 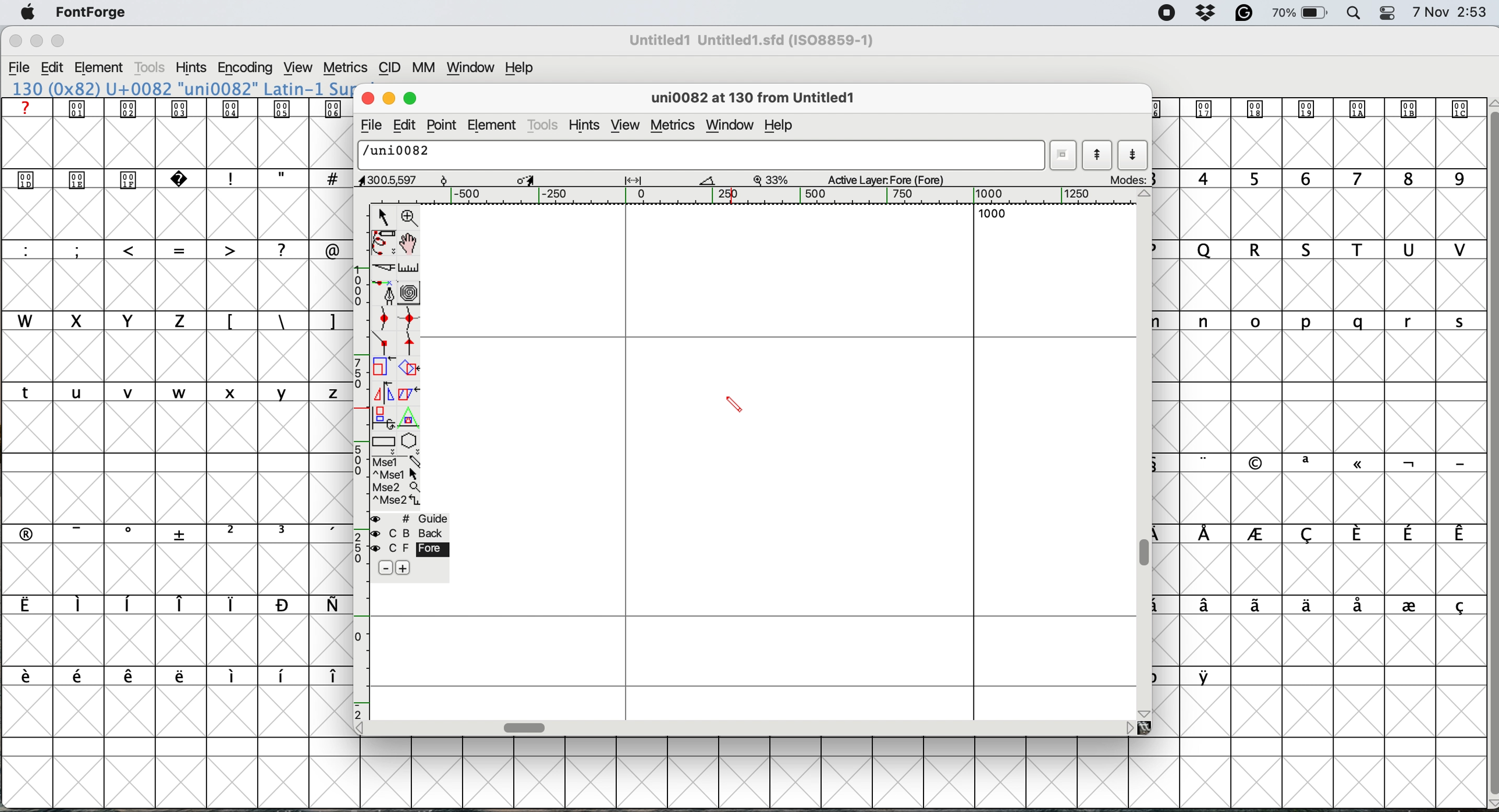 What do you see at coordinates (376, 250) in the screenshot?
I see `uppercase letters` at bounding box center [376, 250].